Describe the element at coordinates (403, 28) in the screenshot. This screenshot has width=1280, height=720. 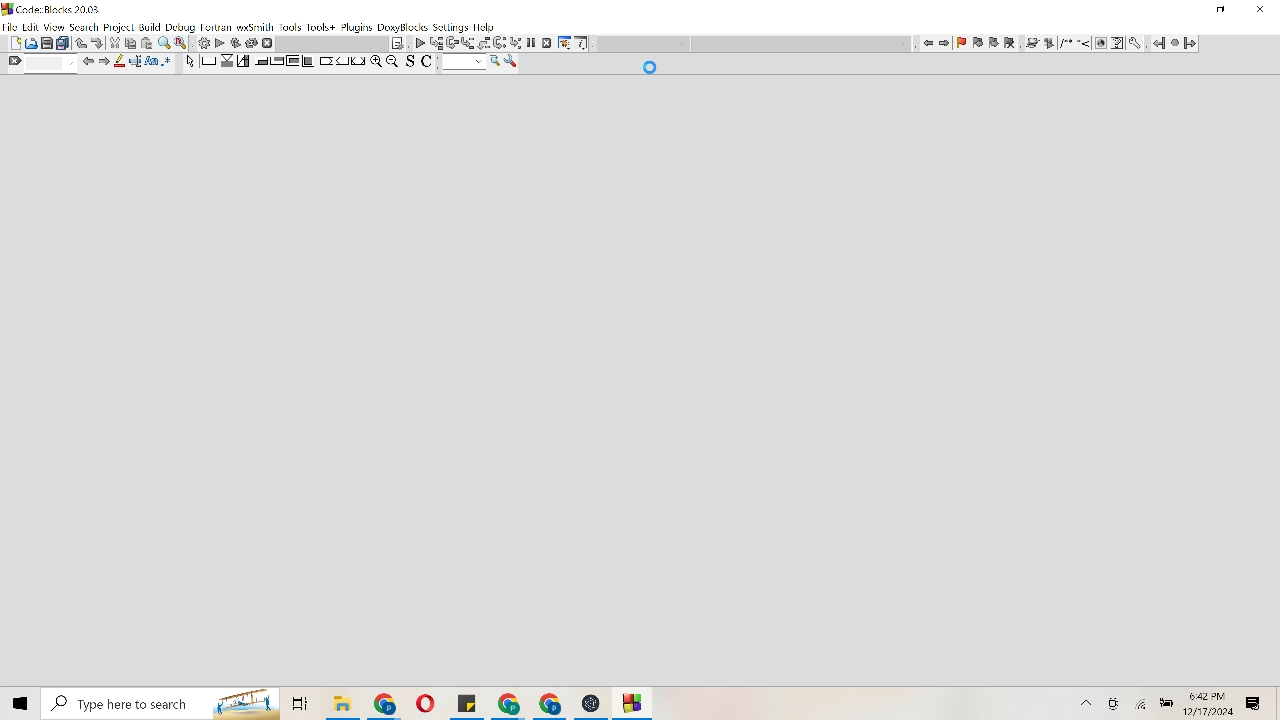
I see `Doxyblocks` at that location.